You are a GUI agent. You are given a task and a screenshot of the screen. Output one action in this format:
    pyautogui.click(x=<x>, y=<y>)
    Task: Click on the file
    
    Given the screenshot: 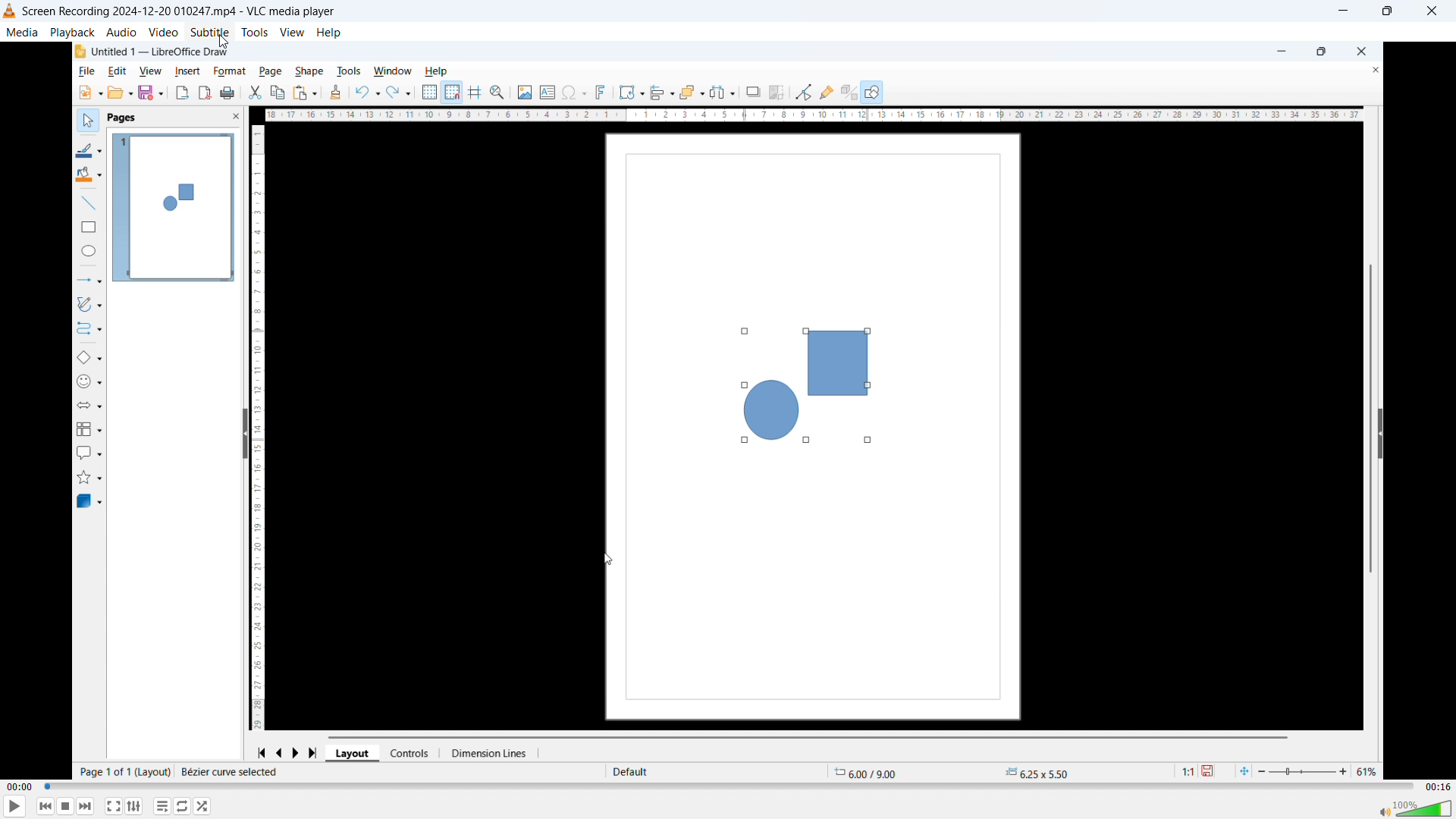 What is the action you would take?
    pyautogui.click(x=83, y=72)
    